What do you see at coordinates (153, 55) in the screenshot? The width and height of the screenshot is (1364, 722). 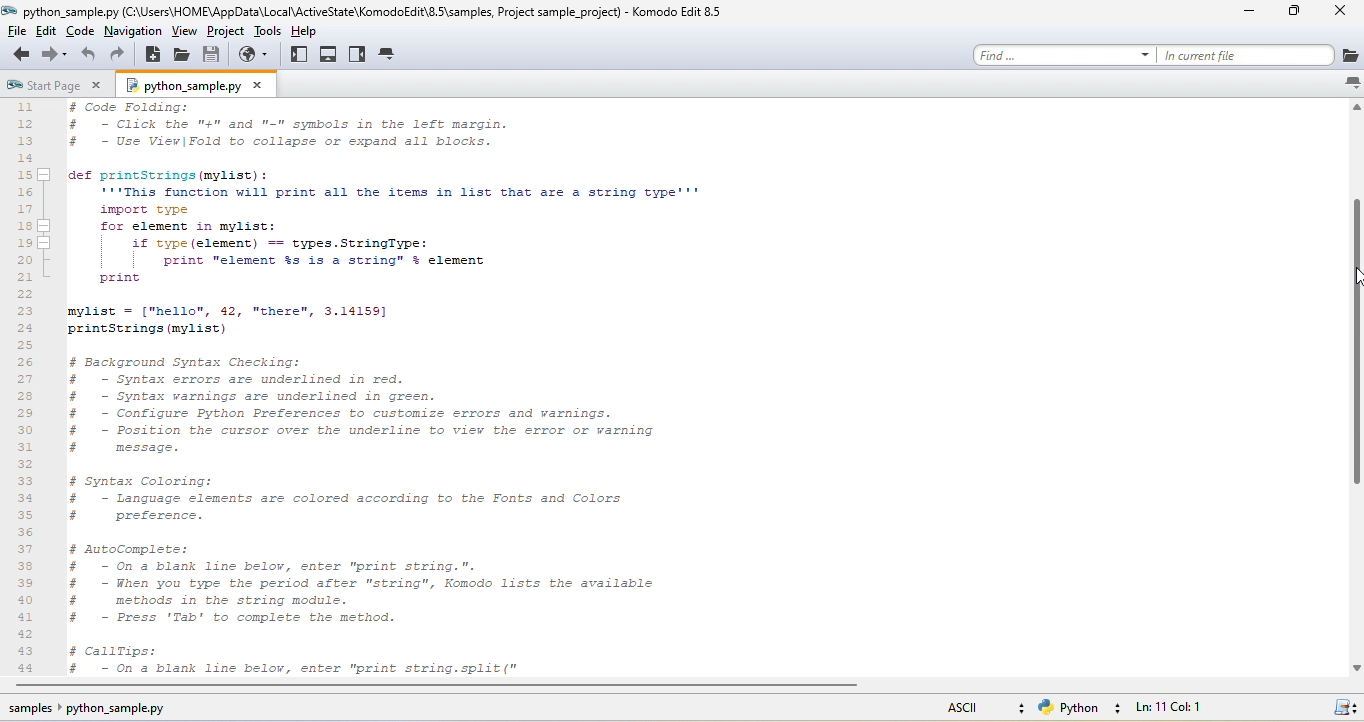 I see `new` at bounding box center [153, 55].